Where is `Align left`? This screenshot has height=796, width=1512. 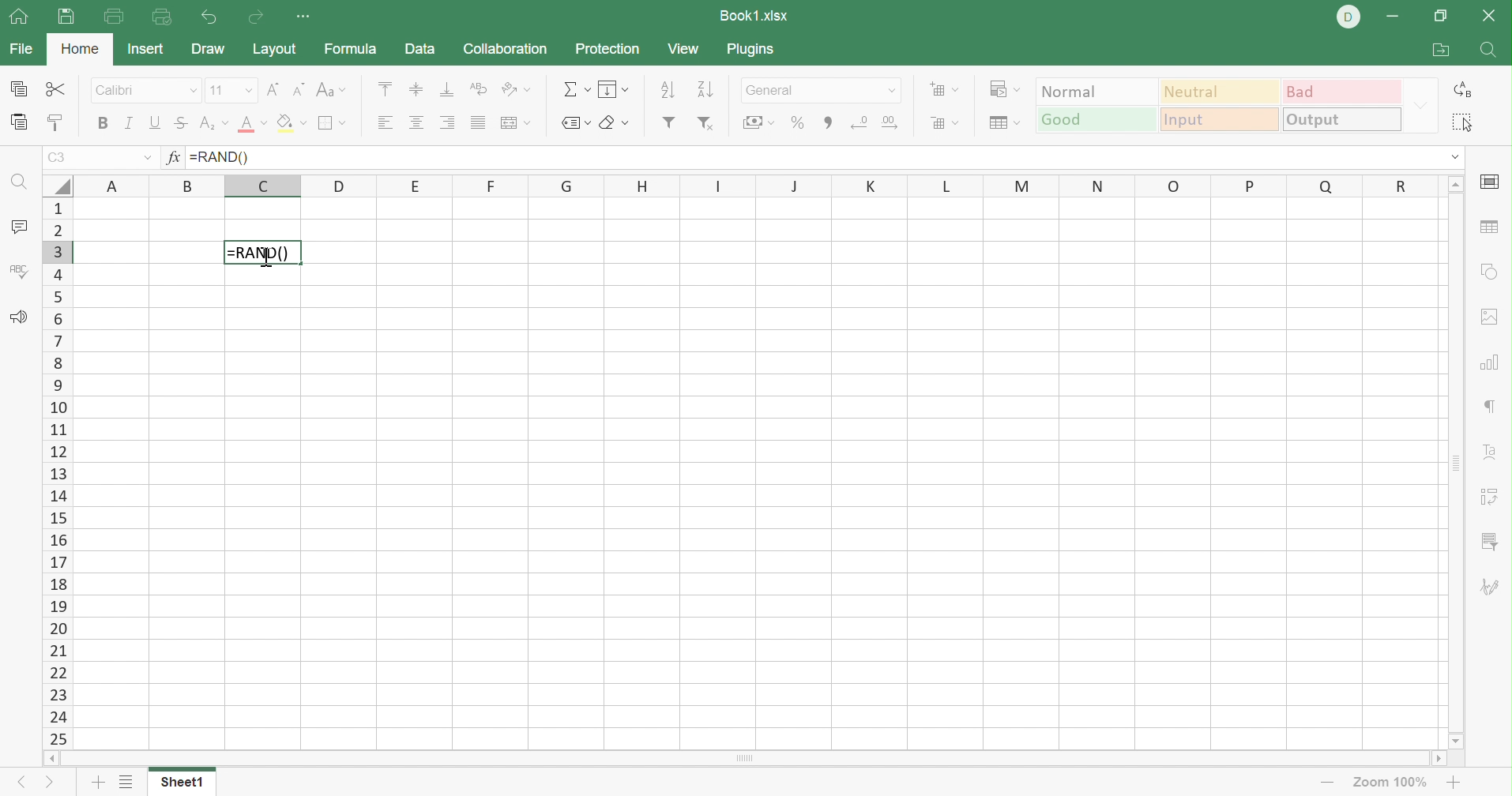 Align left is located at coordinates (385, 122).